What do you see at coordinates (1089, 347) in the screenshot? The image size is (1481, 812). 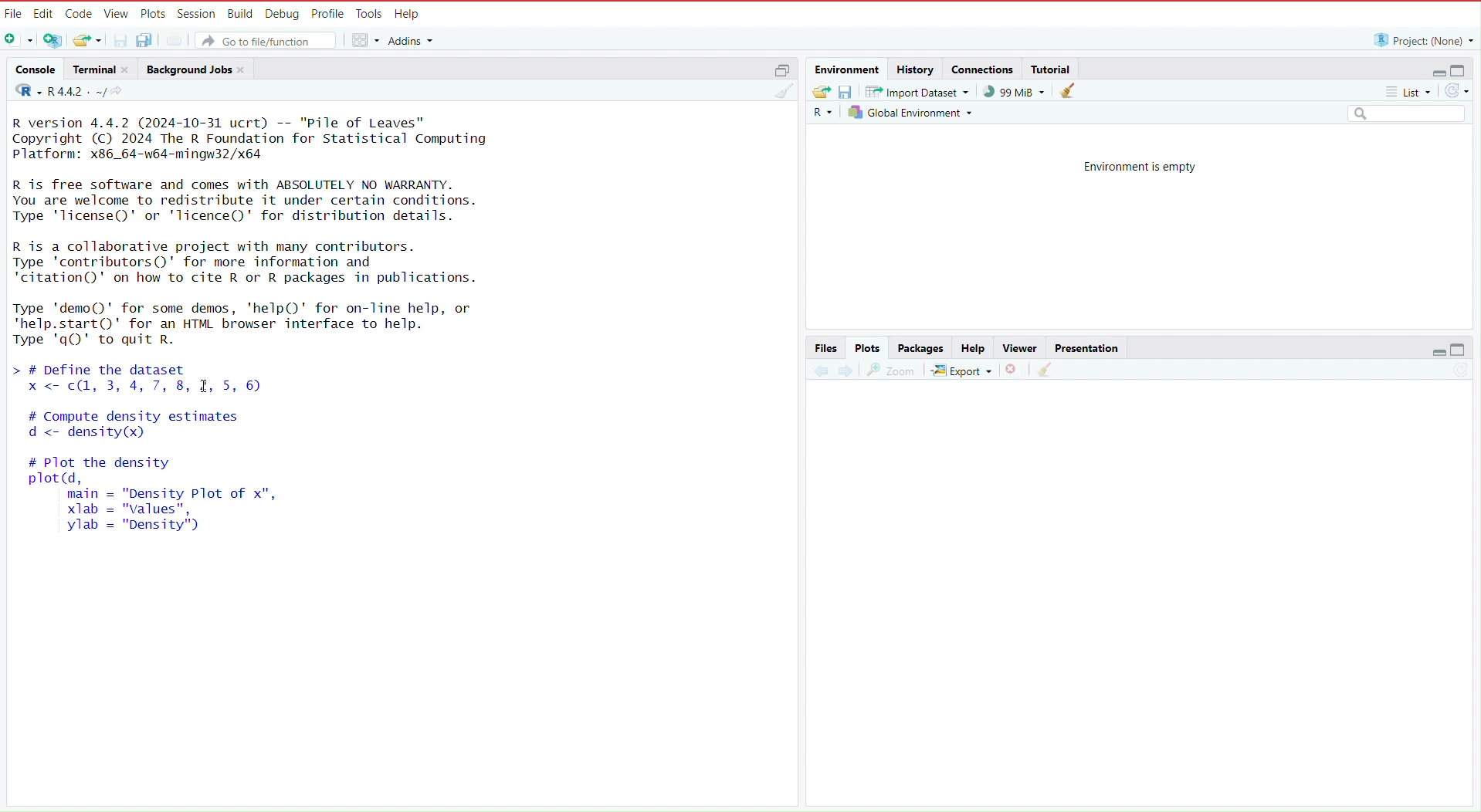 I see `presentation` at bounding box center [1089, 347].